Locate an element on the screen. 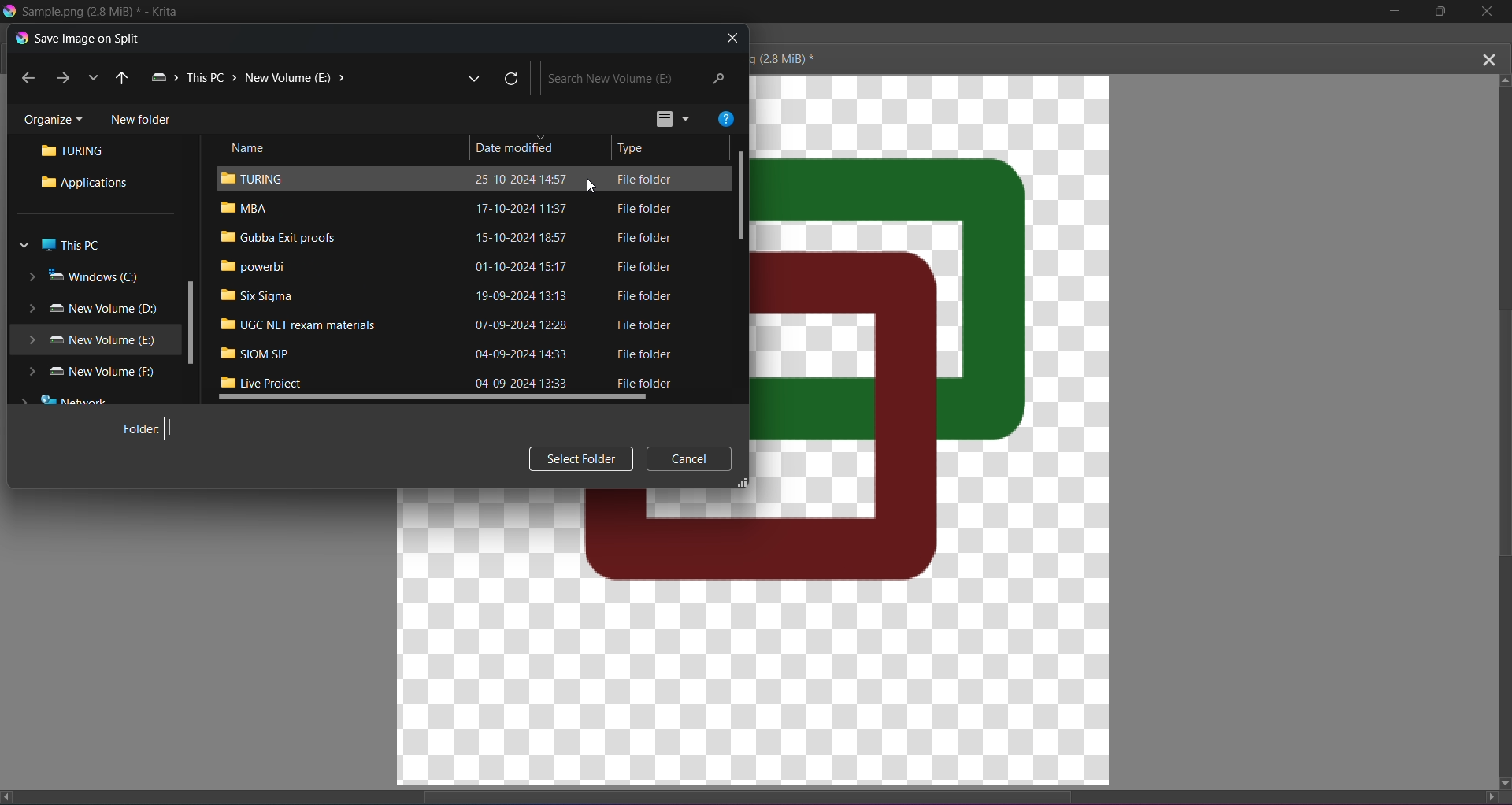  Windows is located at coordinates (83, 276).